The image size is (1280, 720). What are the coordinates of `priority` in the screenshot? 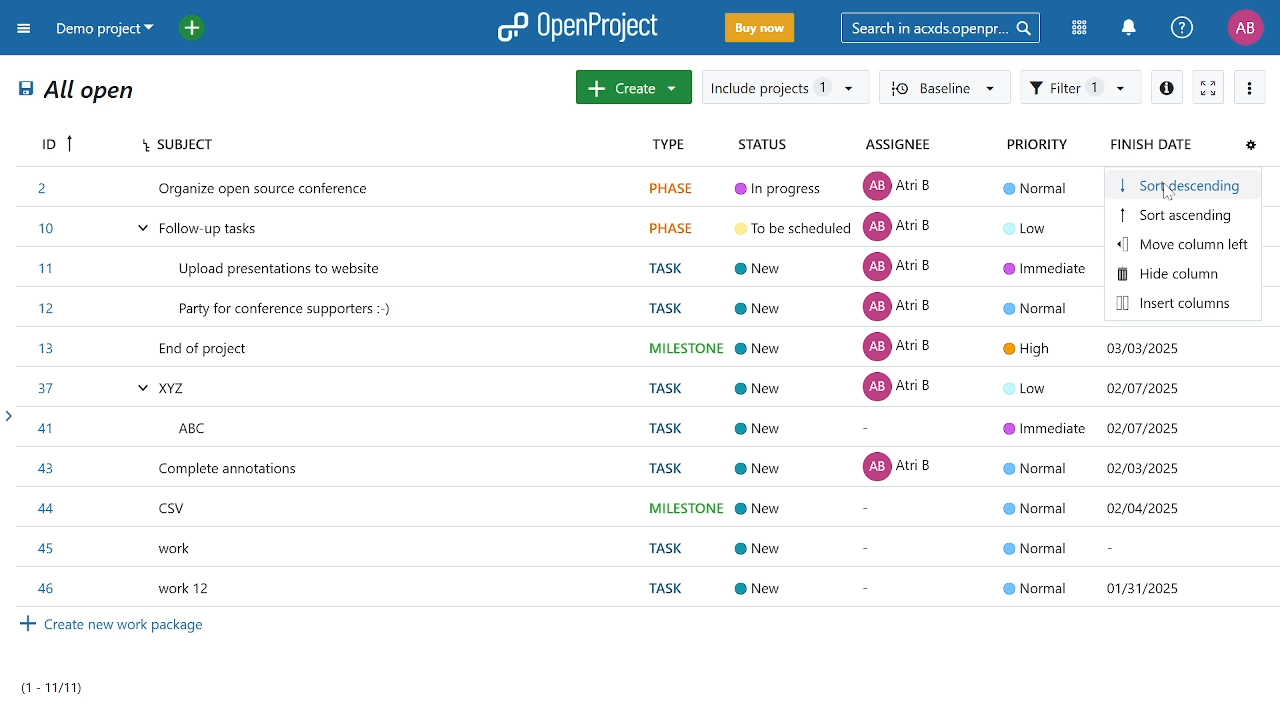 It's located at (1042, 143).